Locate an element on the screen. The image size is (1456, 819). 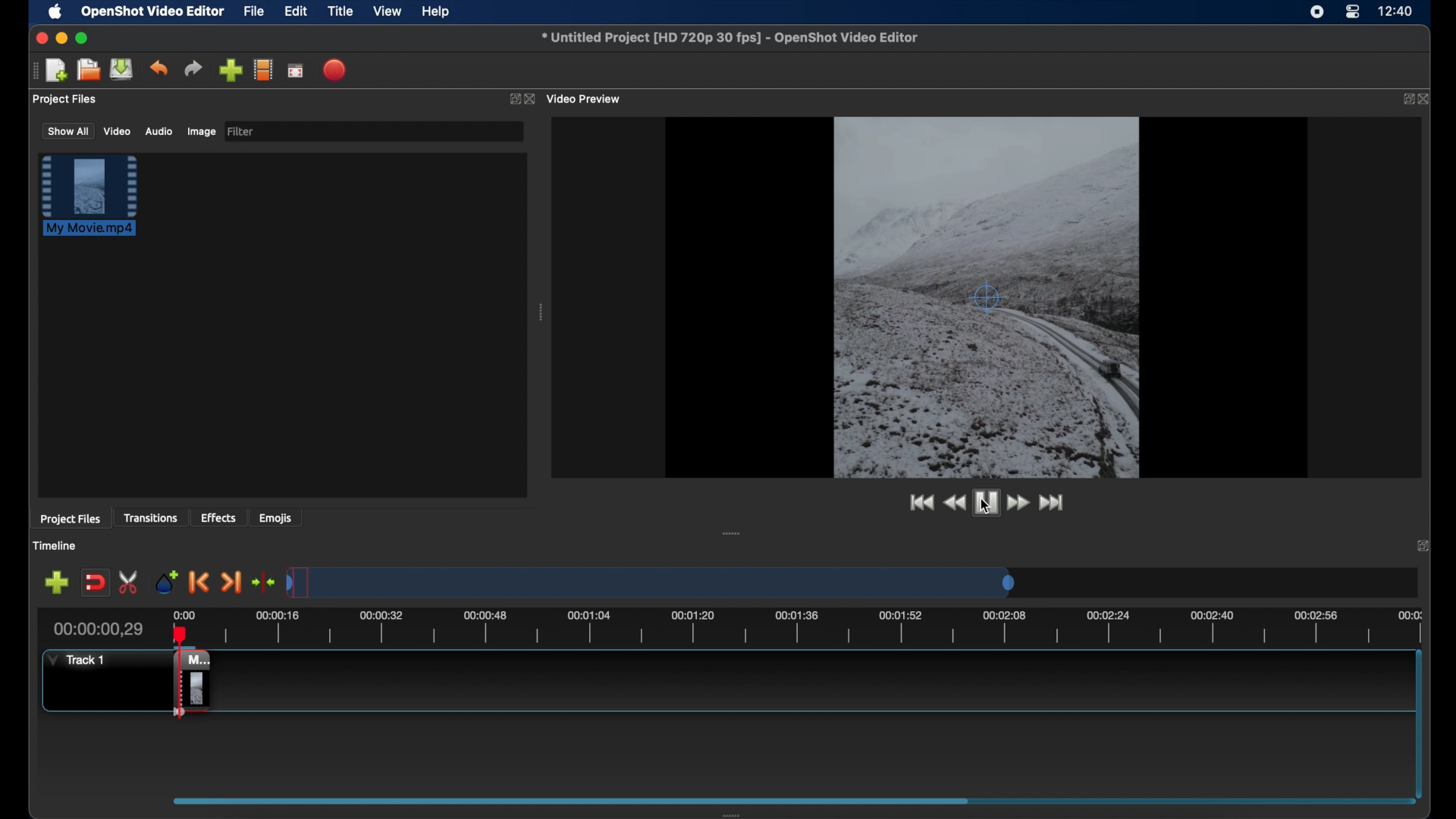
jump to start is located at coordinates (1053, 502).